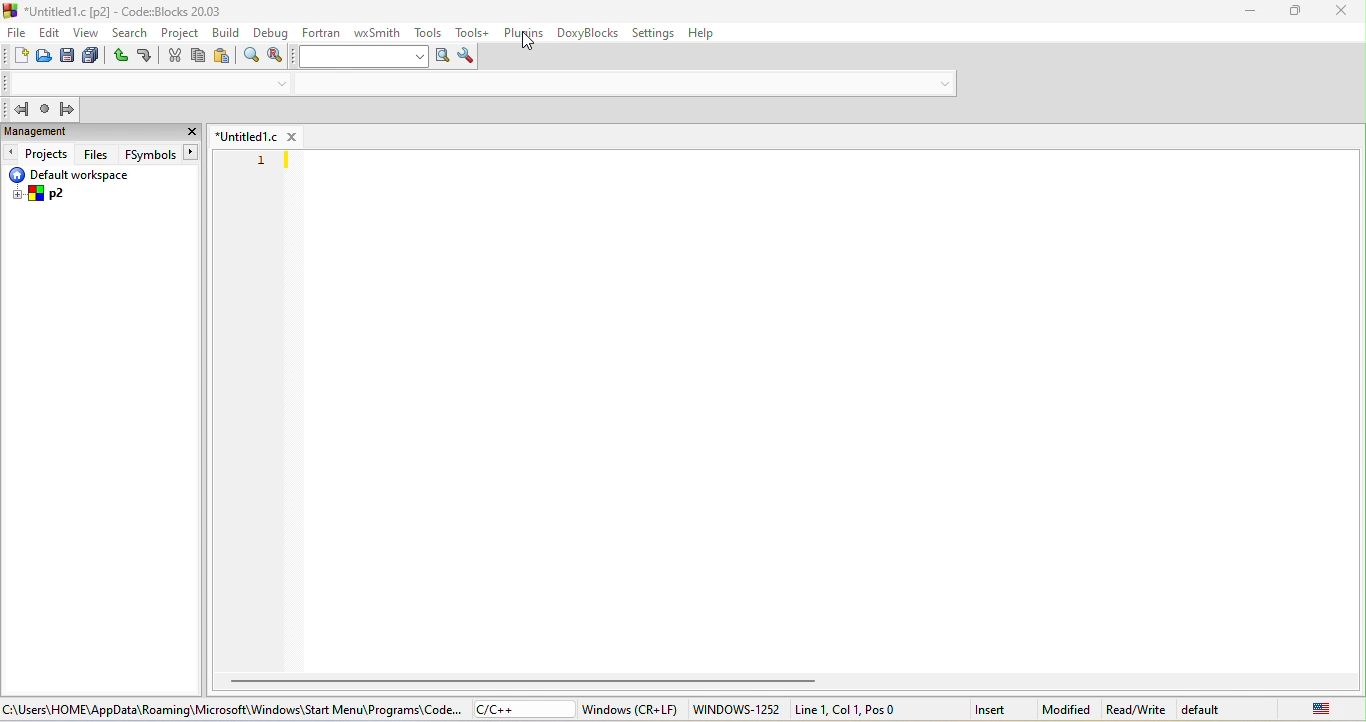 This screenshot has height=722, width=1366. Describe the element at coordinates (1321, 710) in the screenshot. I see `united state` at that location.